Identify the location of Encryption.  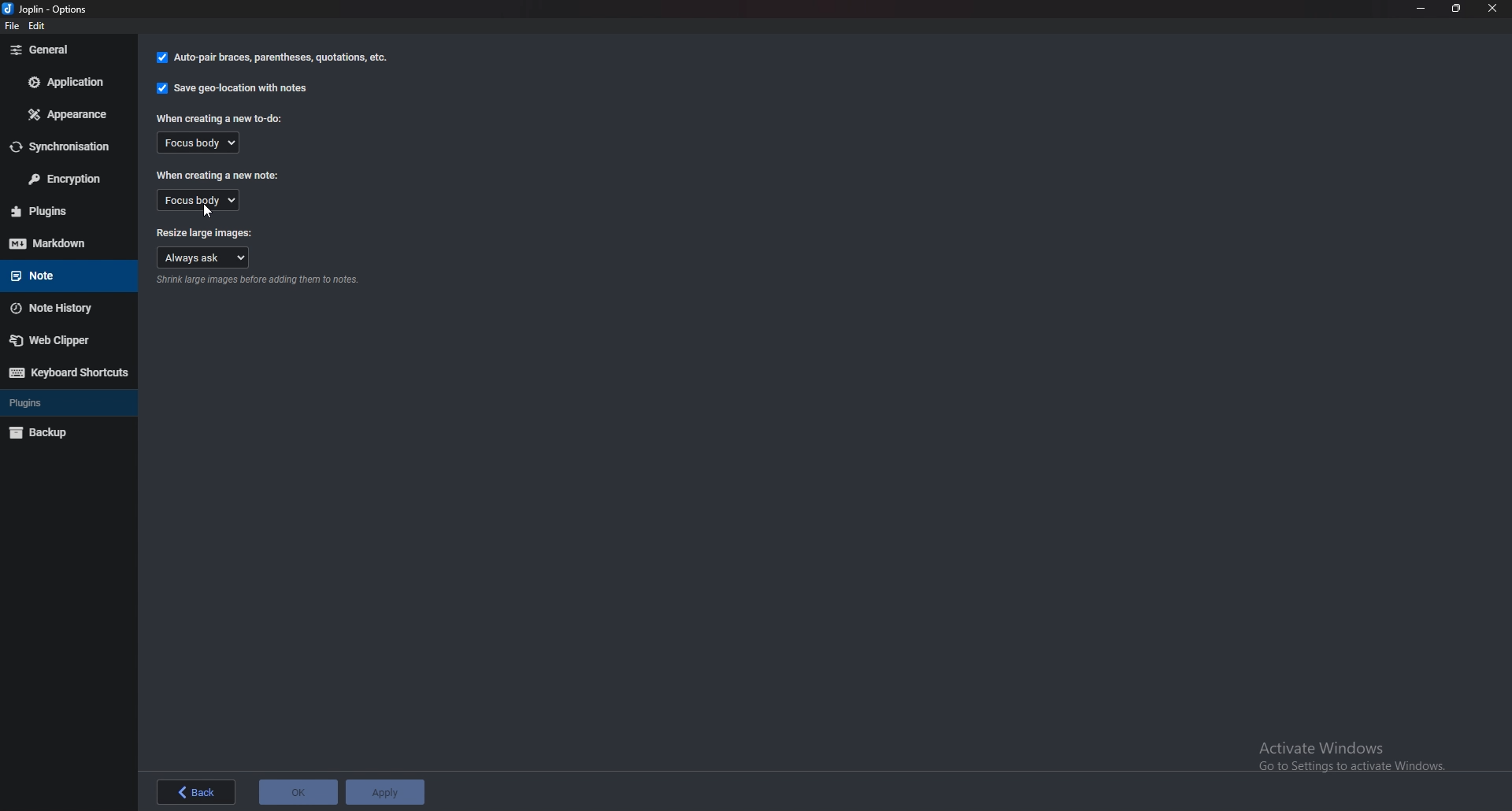
(64, 179).